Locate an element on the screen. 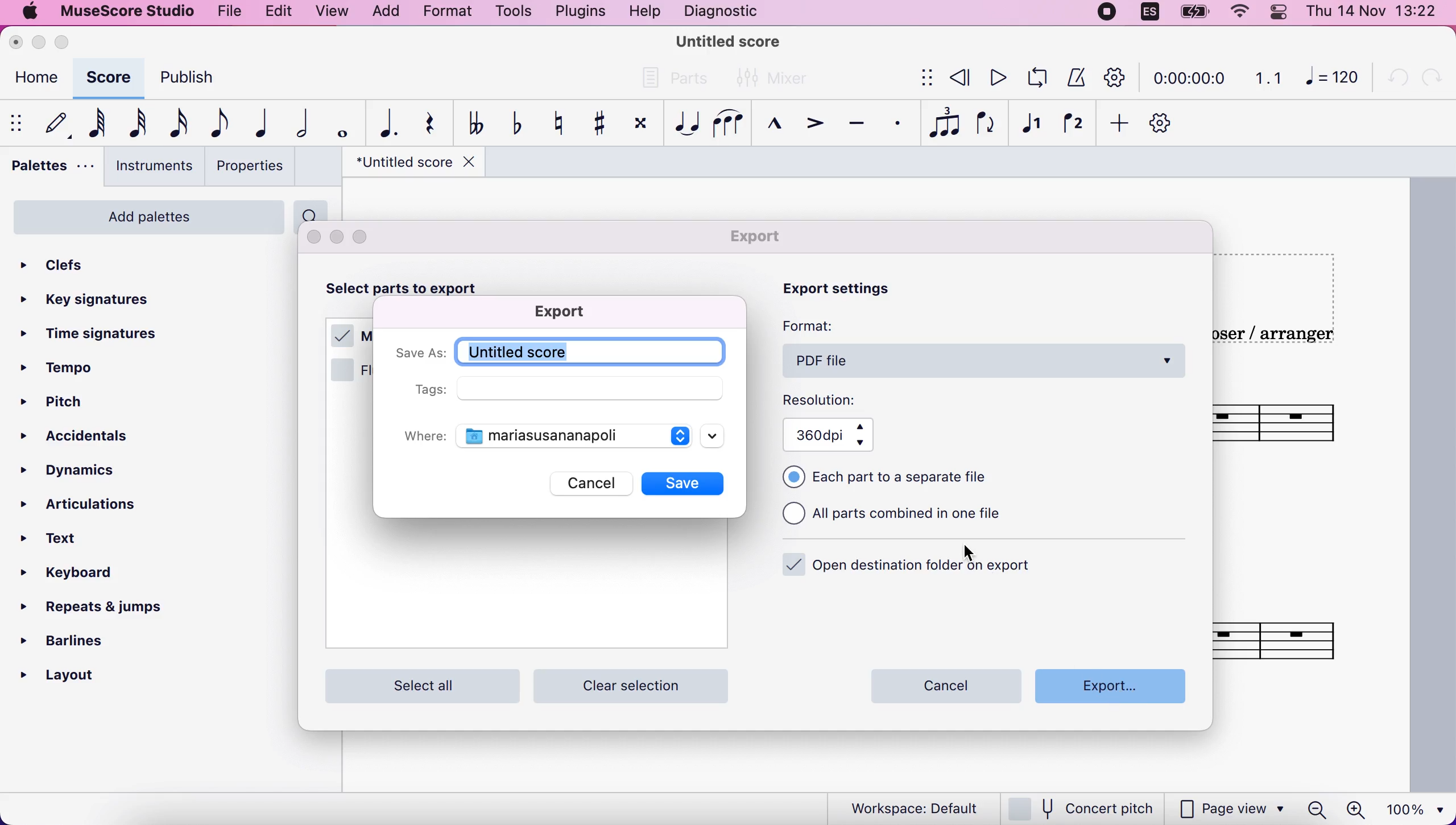 The image size is (1456, 825). augmentation dot is located at coordinates (384, 123).